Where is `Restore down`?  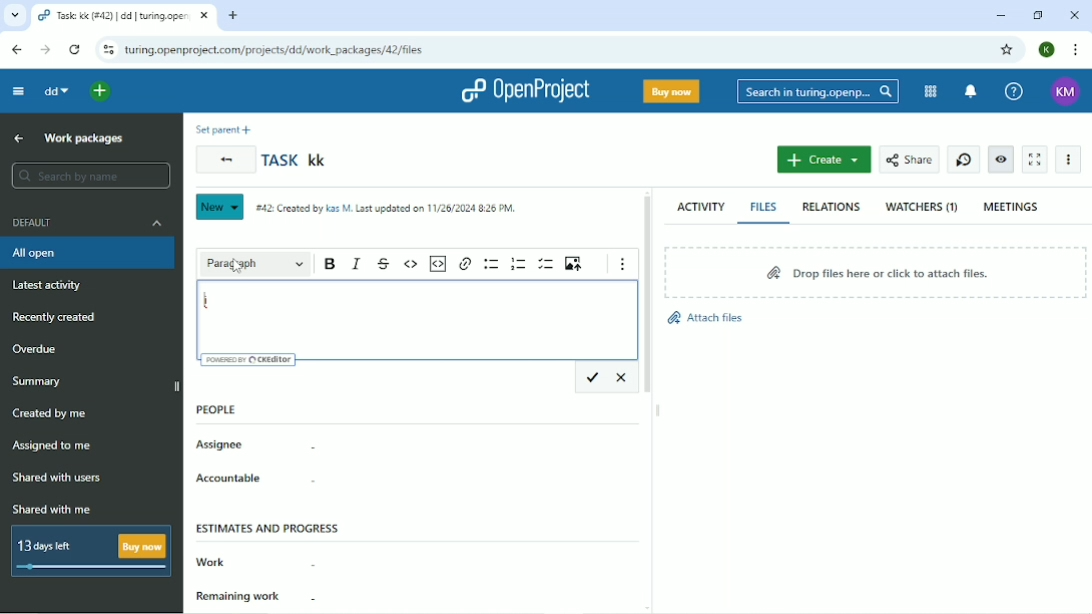 Restore down is located at coordinates (1040, 15).